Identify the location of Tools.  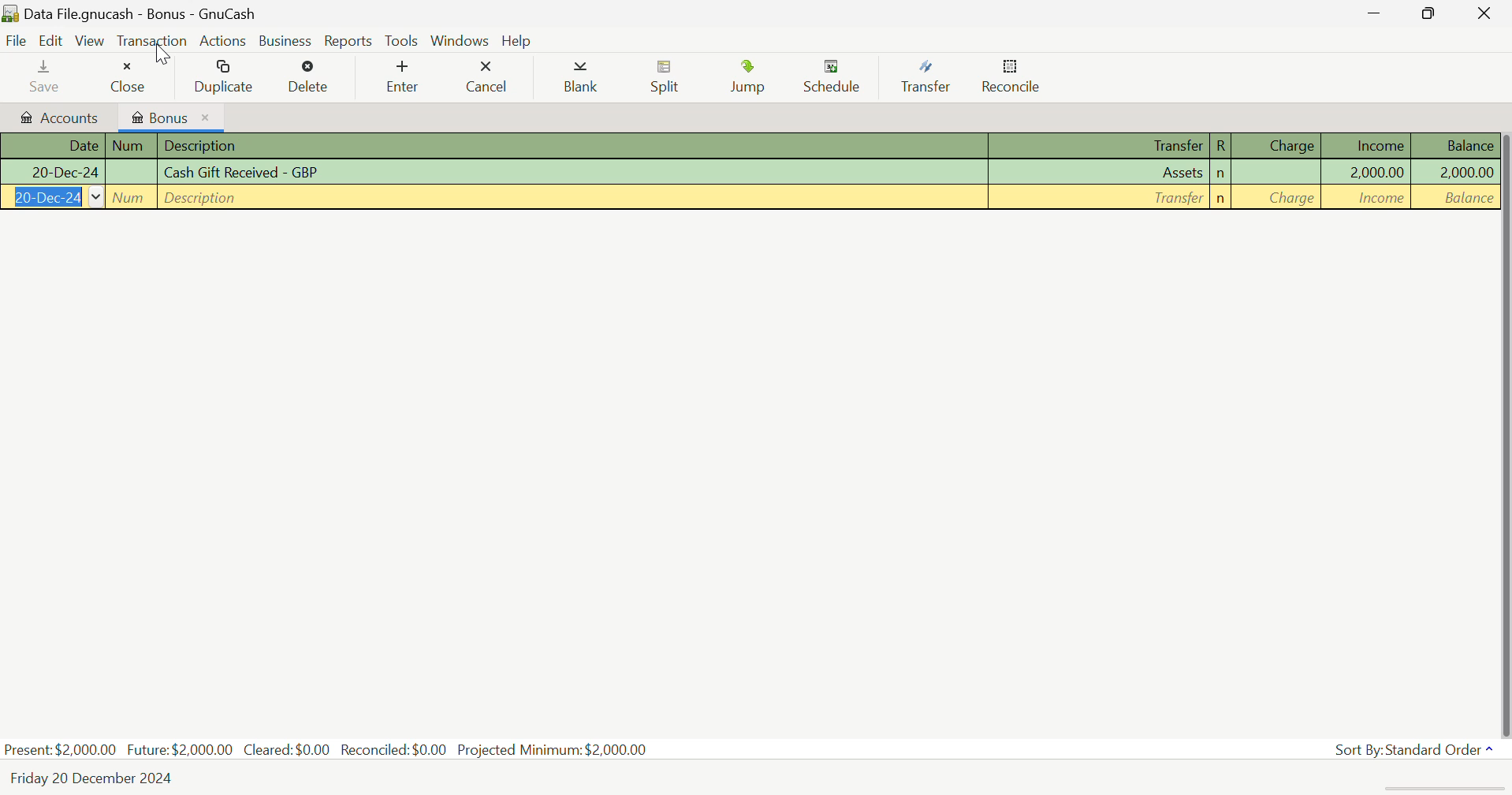
(403, 40).